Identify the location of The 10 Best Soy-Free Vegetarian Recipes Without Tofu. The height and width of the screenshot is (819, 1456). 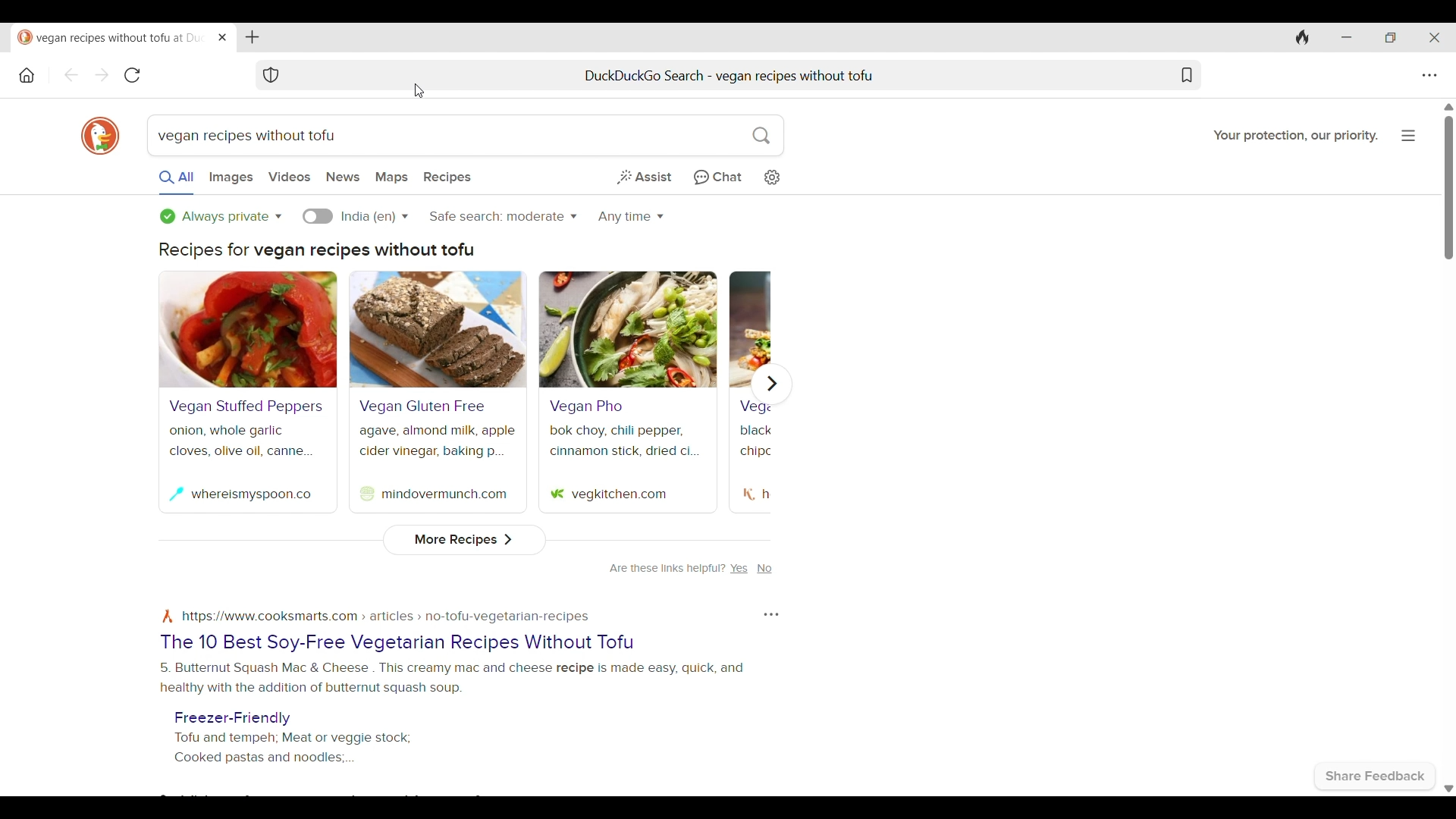
(396, 643).